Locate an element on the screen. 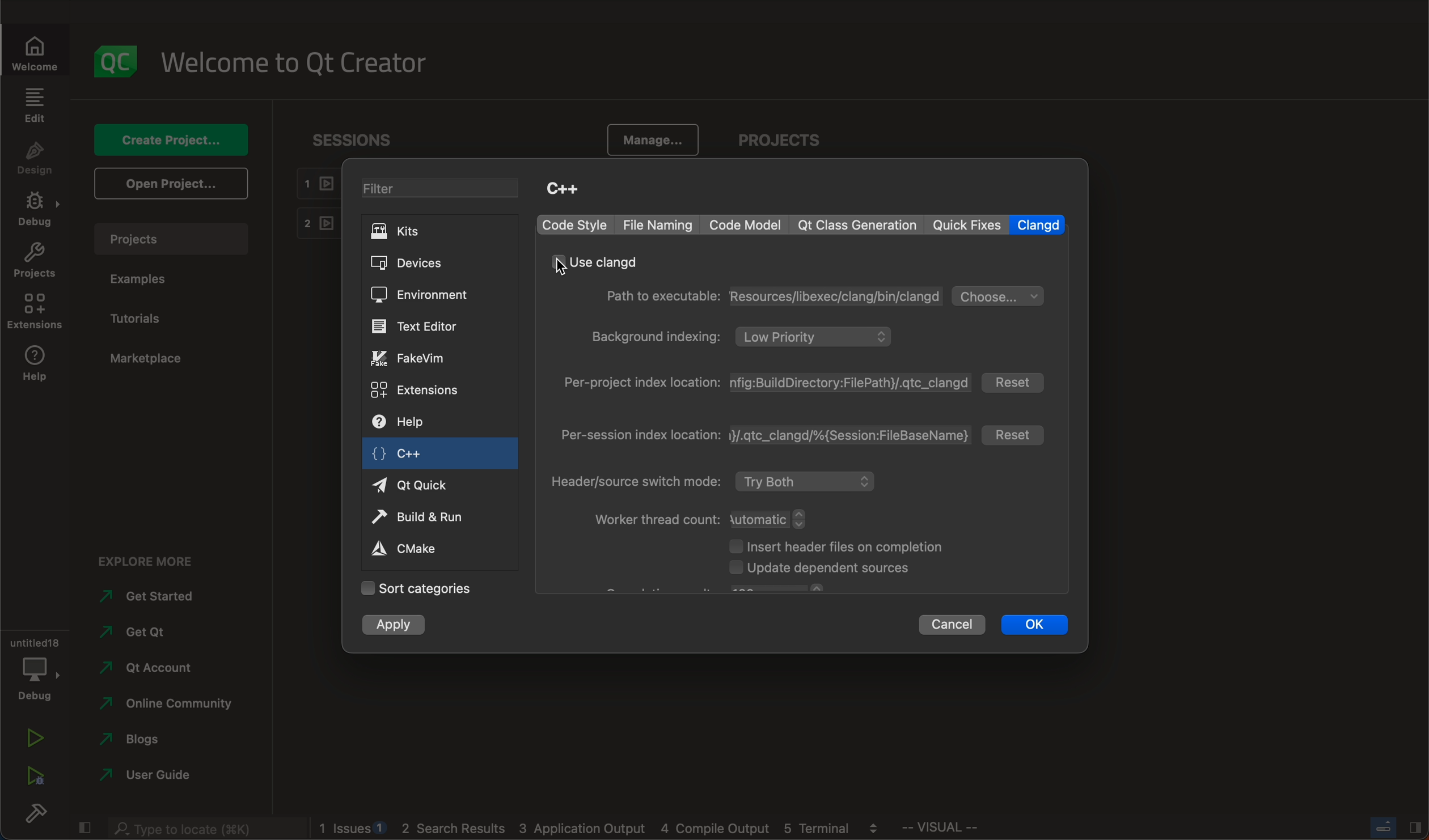 The width and height of the screenshot is (1429, 840). projects is located at coordinates (174, 239).